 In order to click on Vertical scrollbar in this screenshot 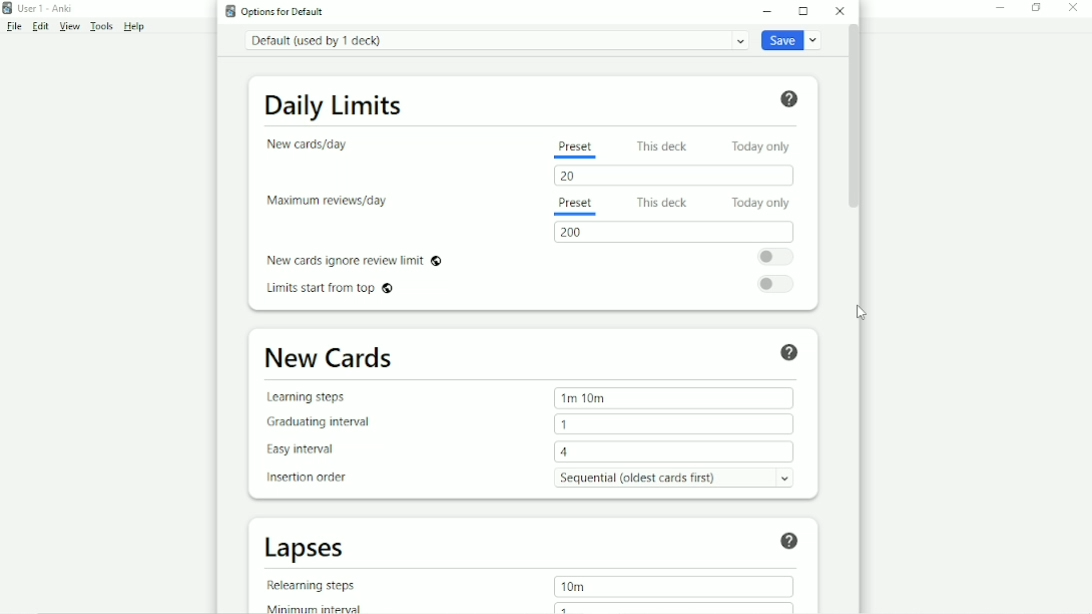, I will do `click(857, 120)`.